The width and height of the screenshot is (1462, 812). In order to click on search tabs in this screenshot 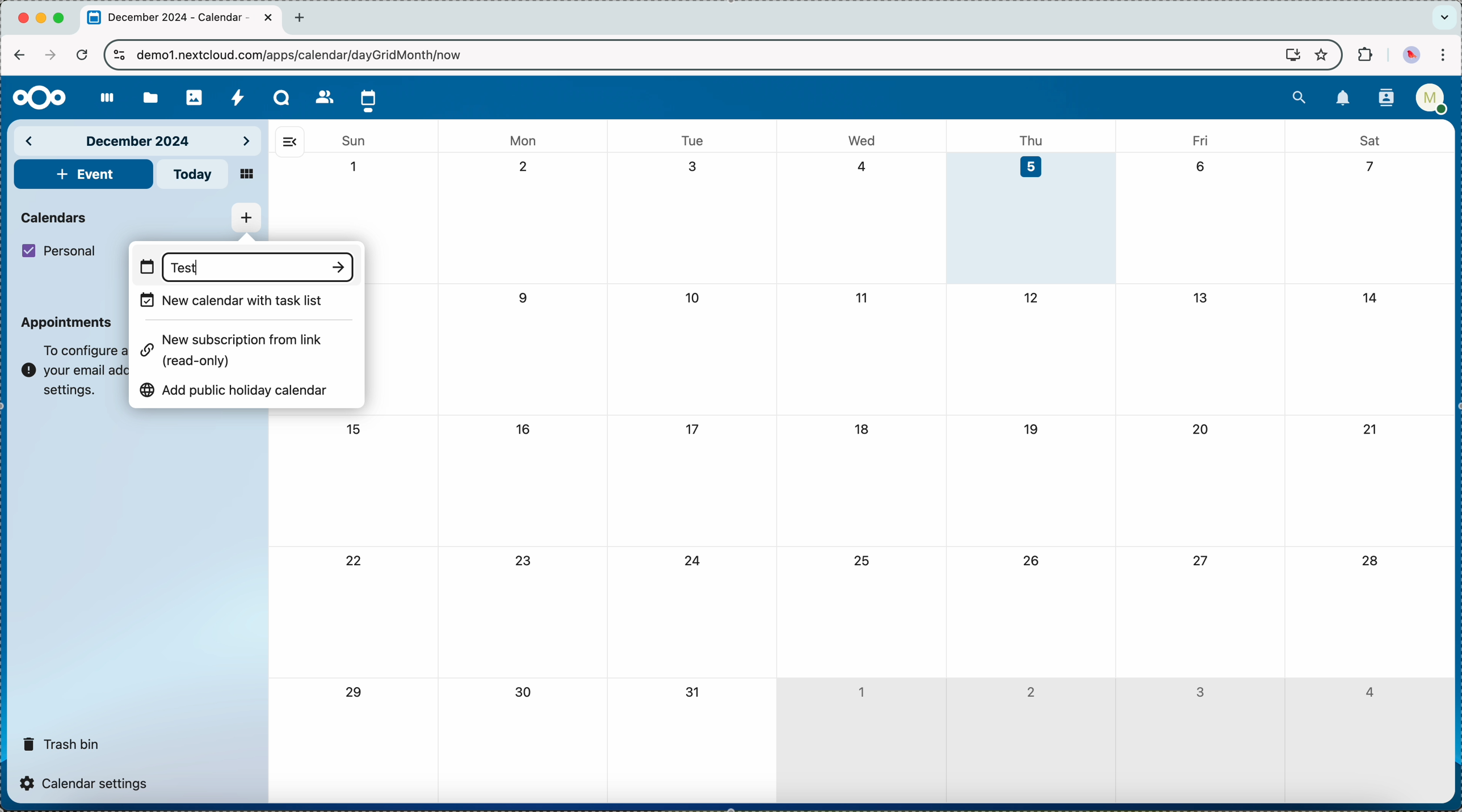, I will do `click(1444, 18)`.